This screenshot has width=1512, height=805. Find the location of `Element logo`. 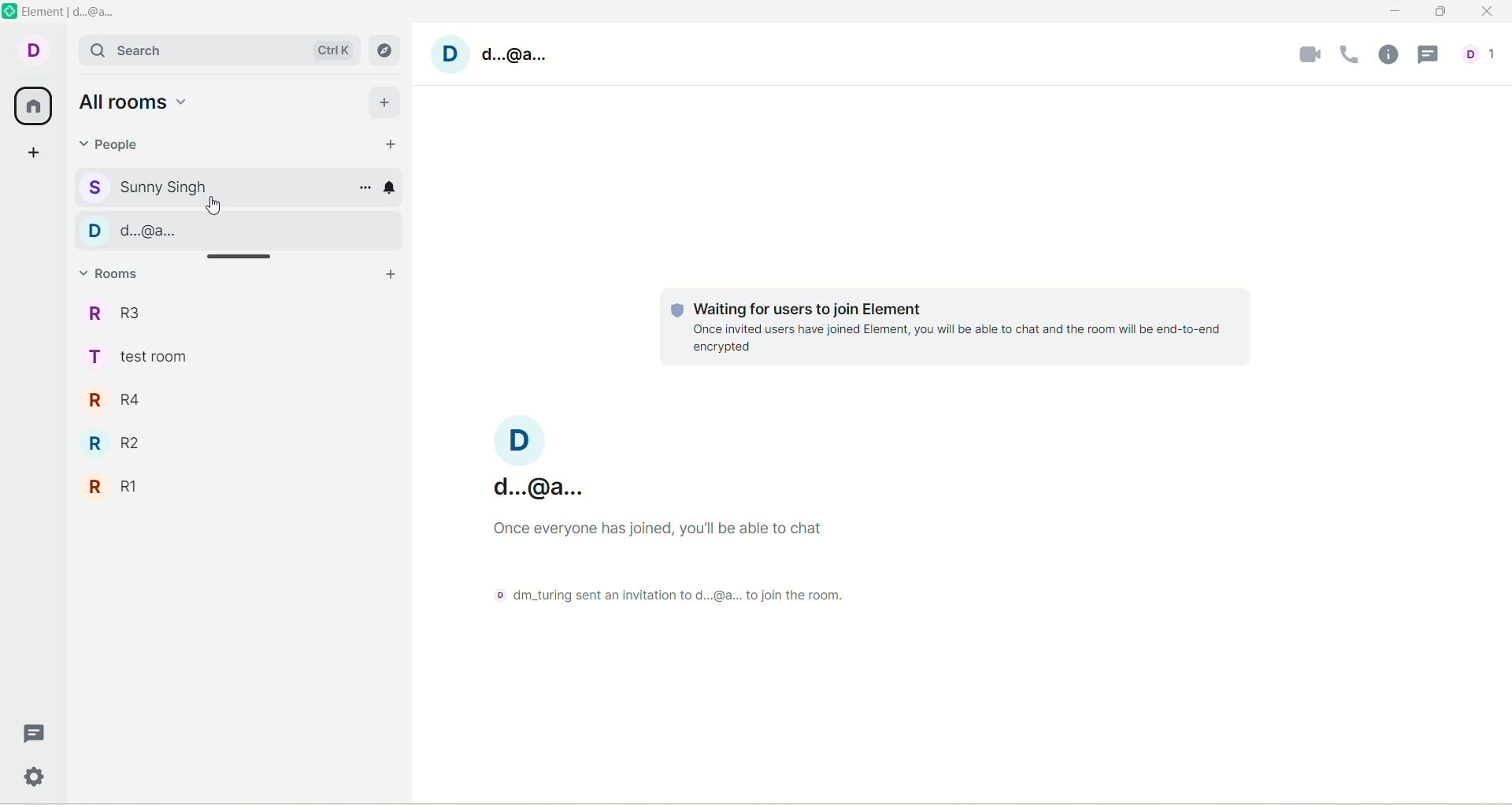

Element logo is located at coordinates (10, 10).